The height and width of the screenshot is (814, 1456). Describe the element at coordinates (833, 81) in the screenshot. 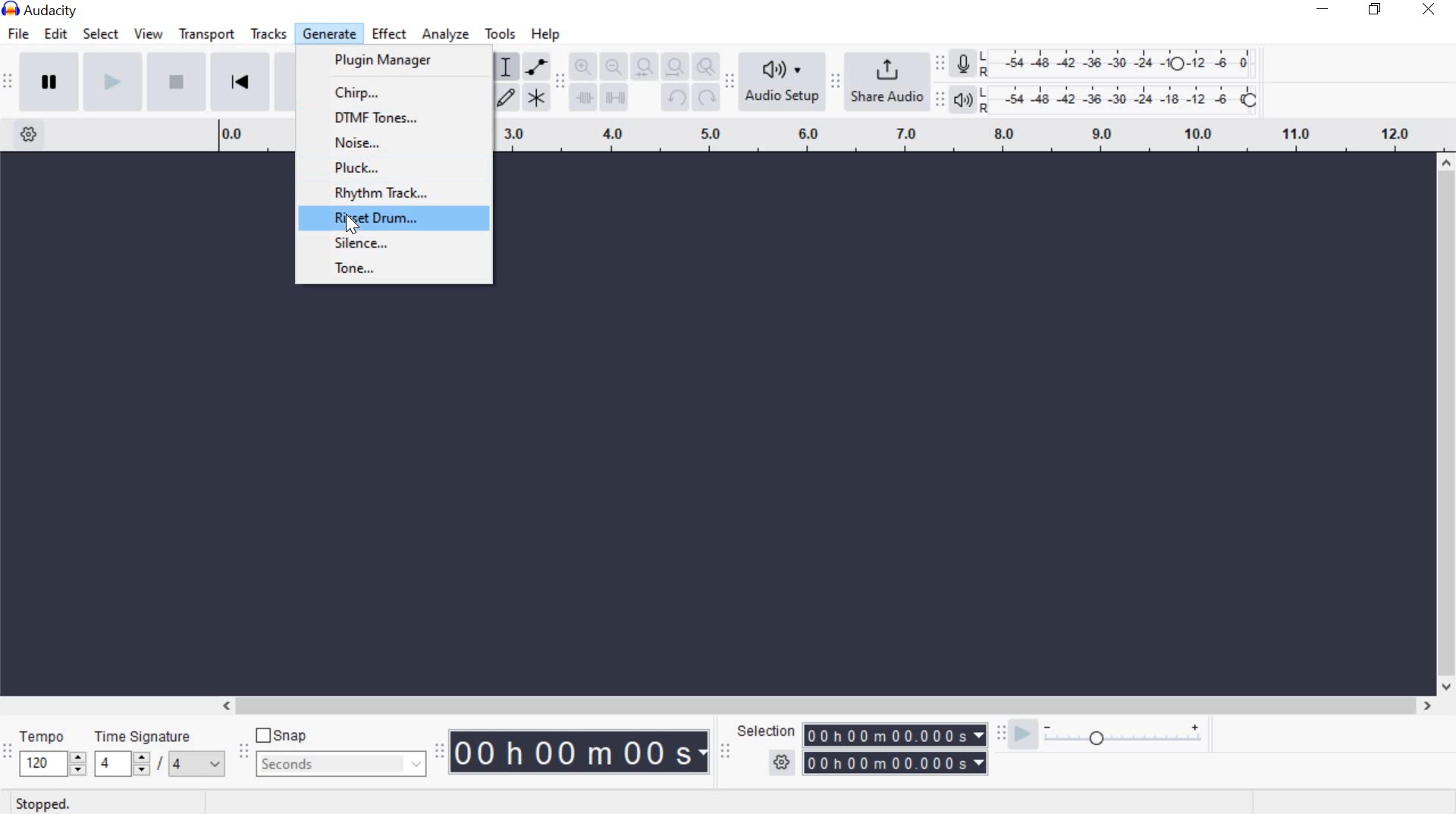

I see `Share Audio Toolbar` at that location.